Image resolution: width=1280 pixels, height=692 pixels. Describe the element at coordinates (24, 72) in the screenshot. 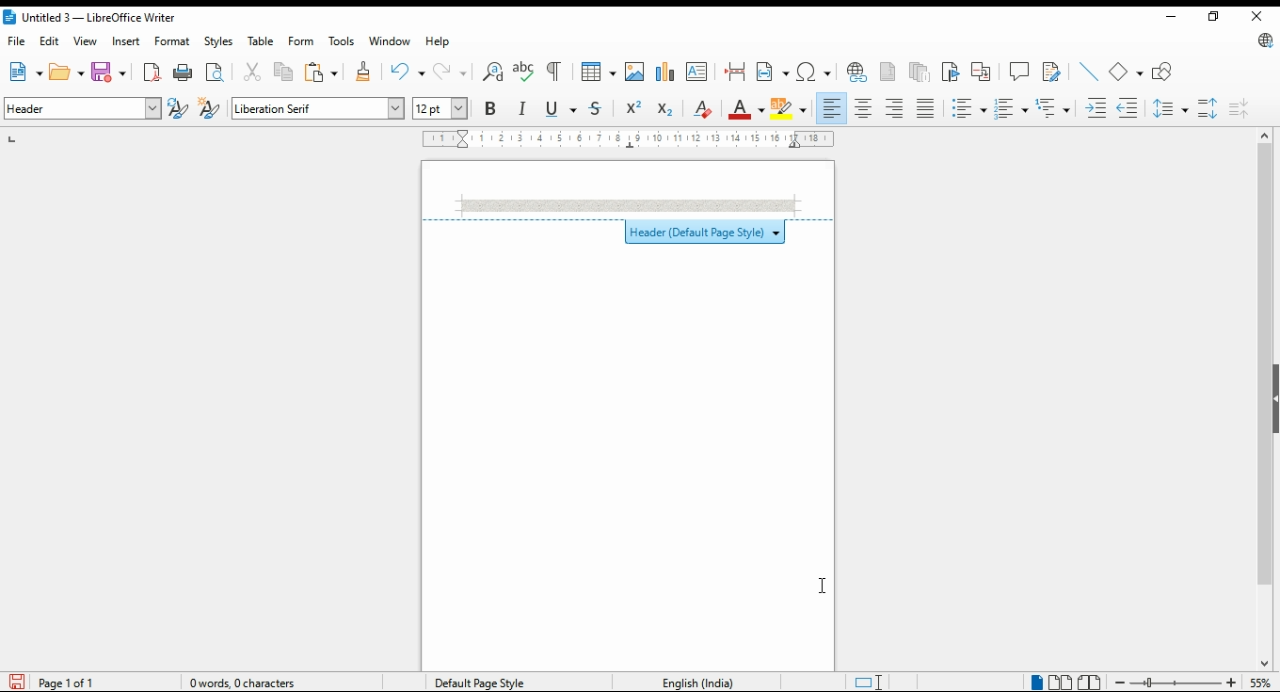

I see `new` at that location.